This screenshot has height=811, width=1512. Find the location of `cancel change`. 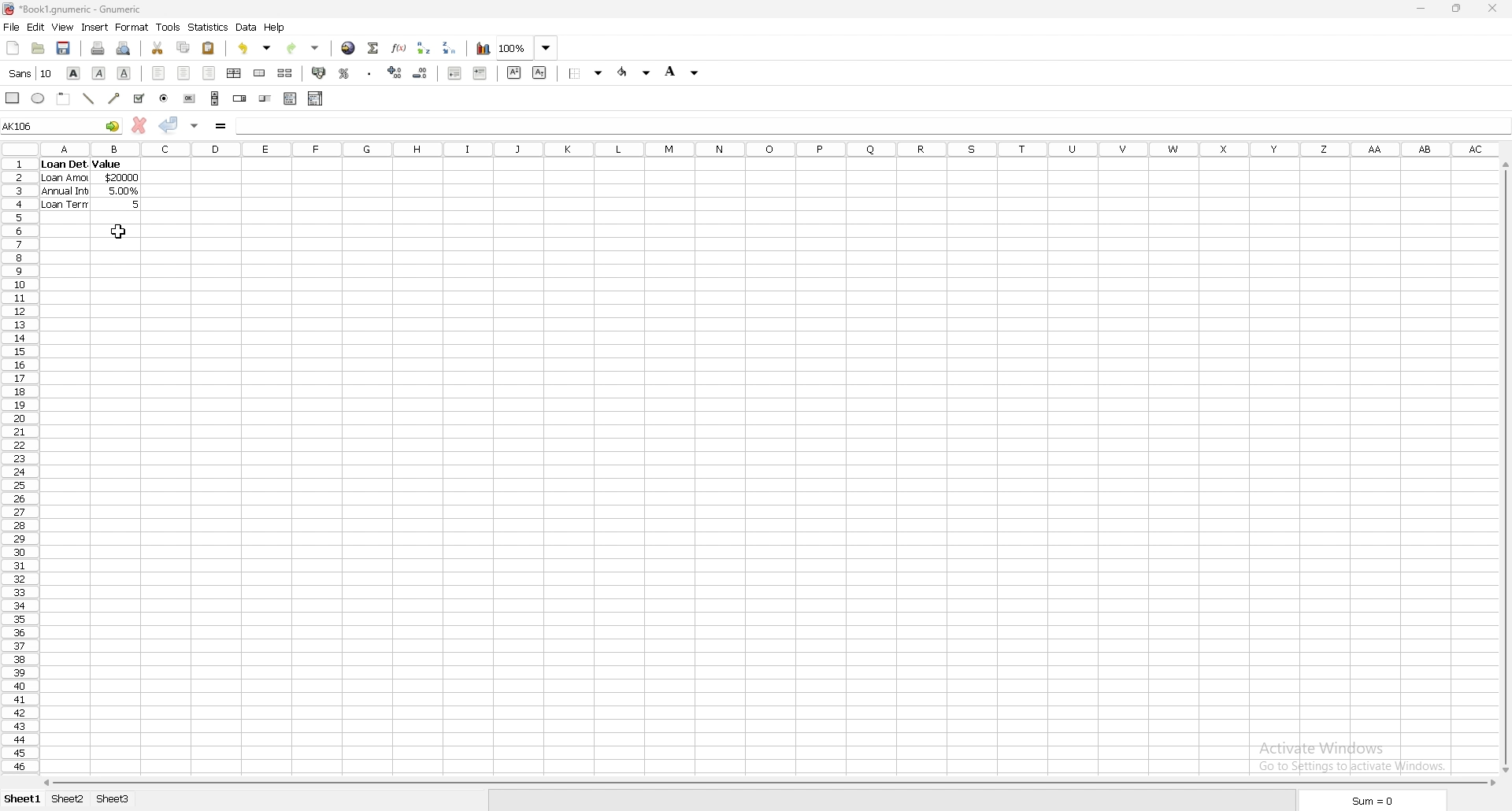

cancel change is located at coordinates (139, 124).